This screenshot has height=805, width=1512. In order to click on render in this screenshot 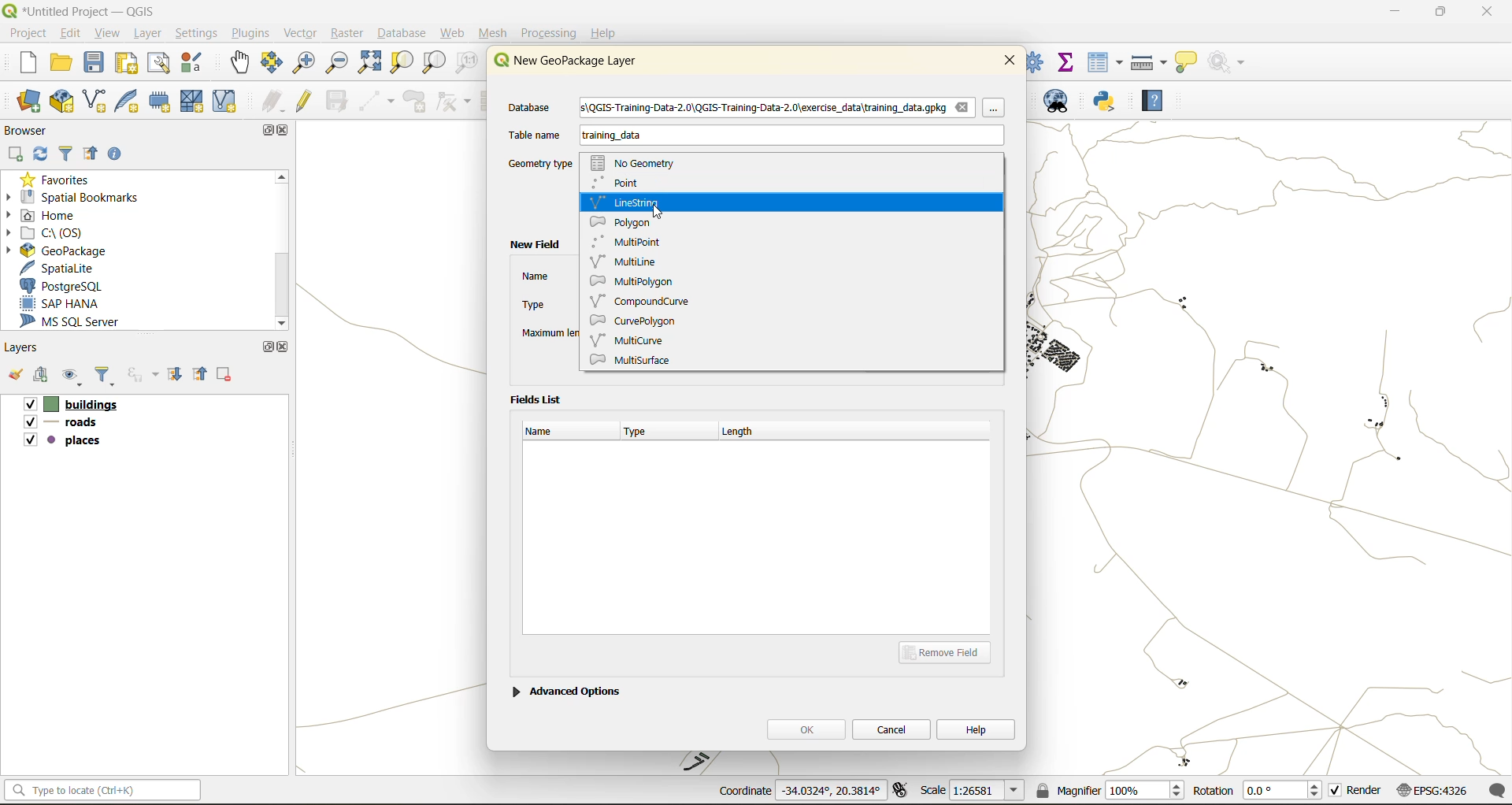, I will do `click(1357, 793)`.